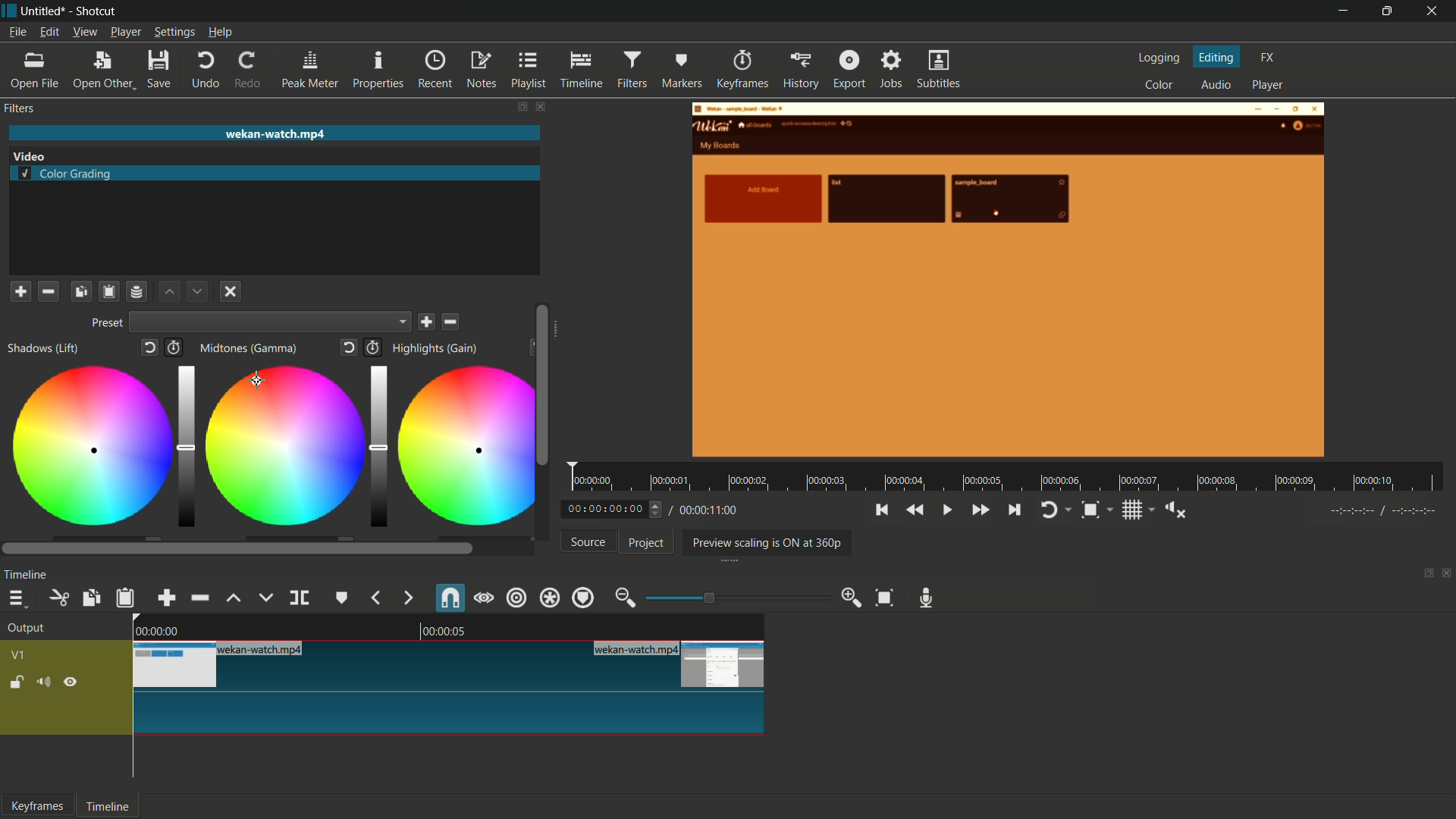 The width and height of the screenshot is (1456, 819). I want to click on ripple markers, so click(584, 598).